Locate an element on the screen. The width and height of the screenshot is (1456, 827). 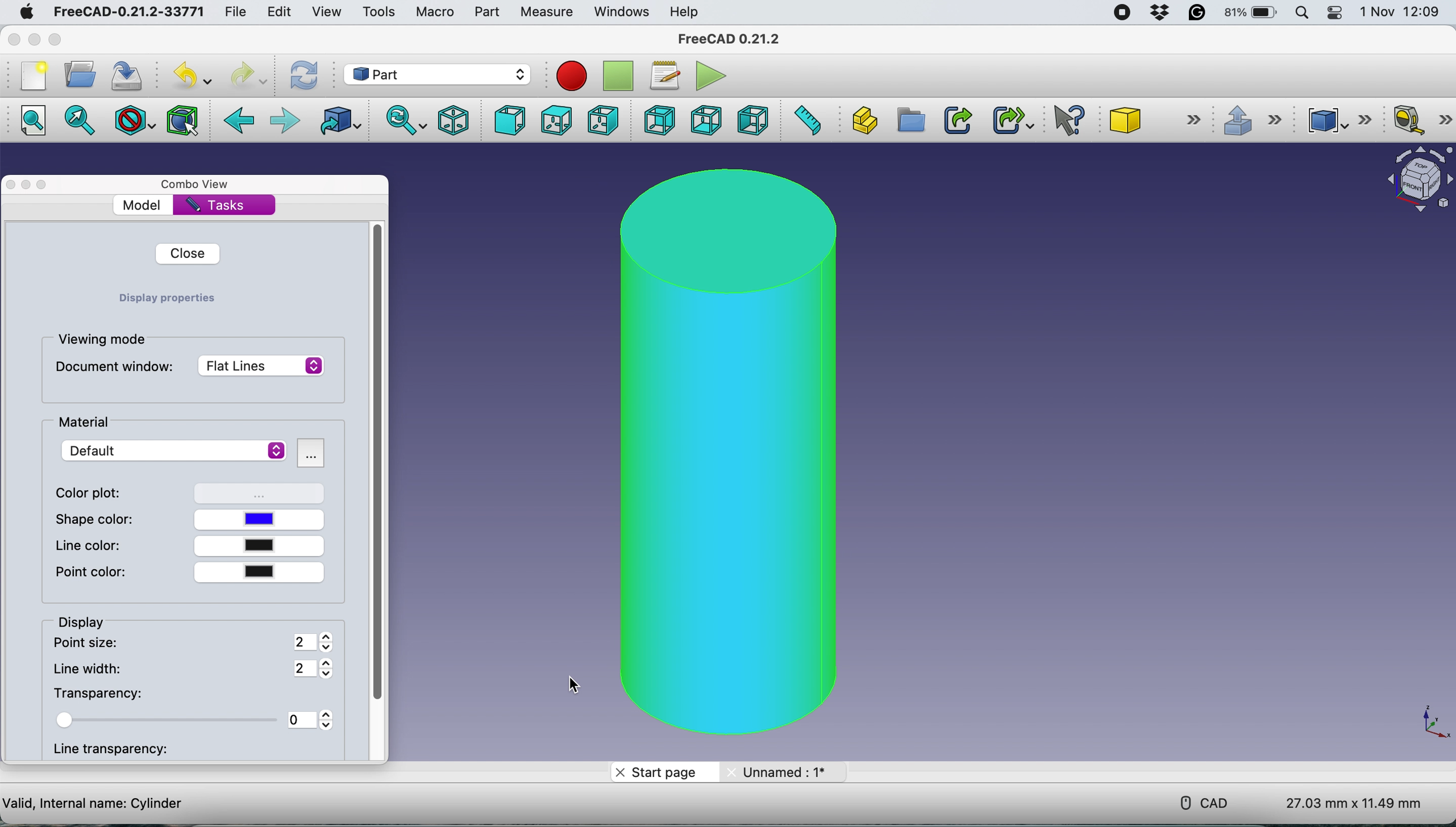
system logo is located at coordinates (28, 12).